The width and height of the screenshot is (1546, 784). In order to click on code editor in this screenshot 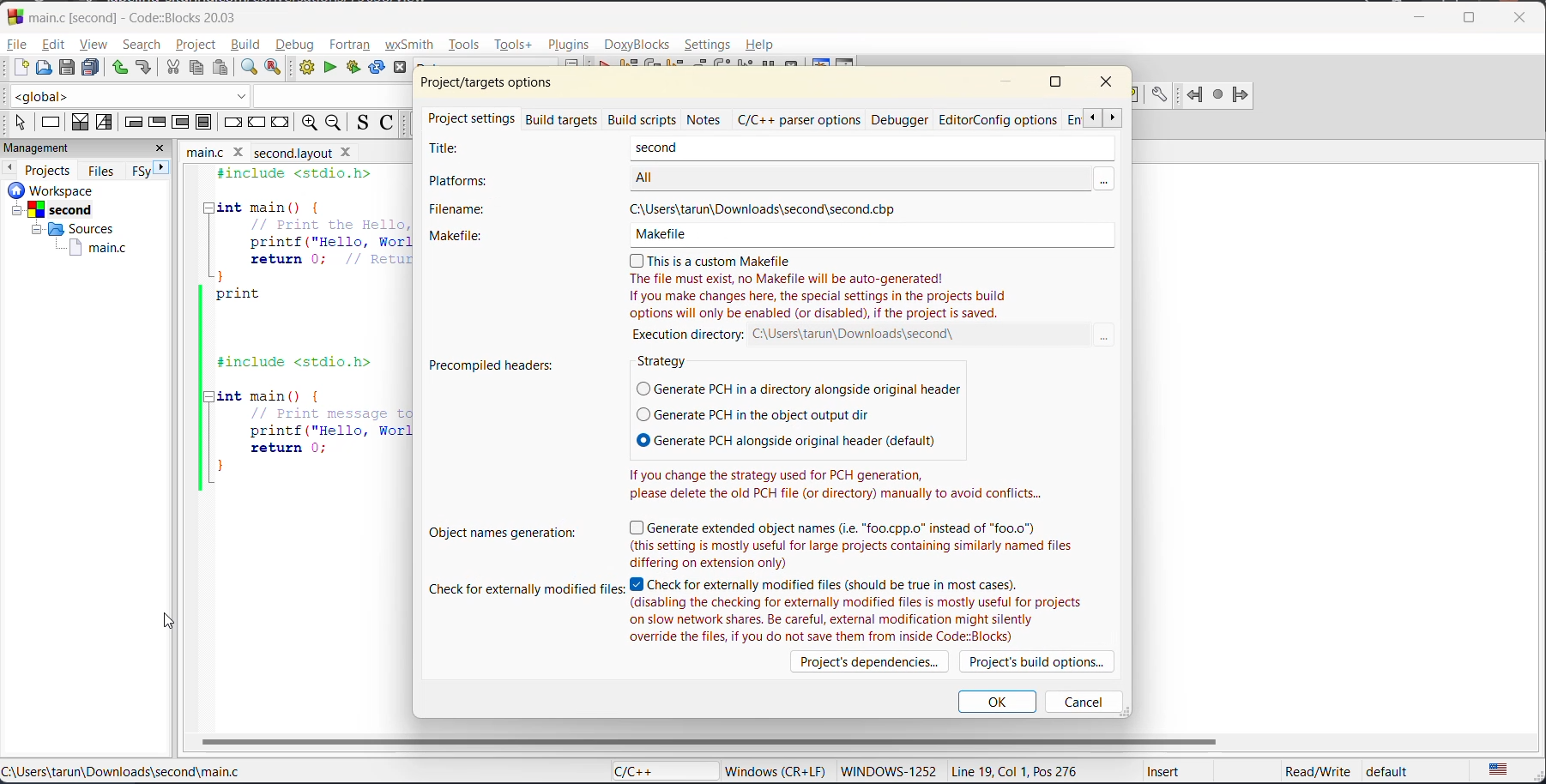, I will do `click(296, 335)`.